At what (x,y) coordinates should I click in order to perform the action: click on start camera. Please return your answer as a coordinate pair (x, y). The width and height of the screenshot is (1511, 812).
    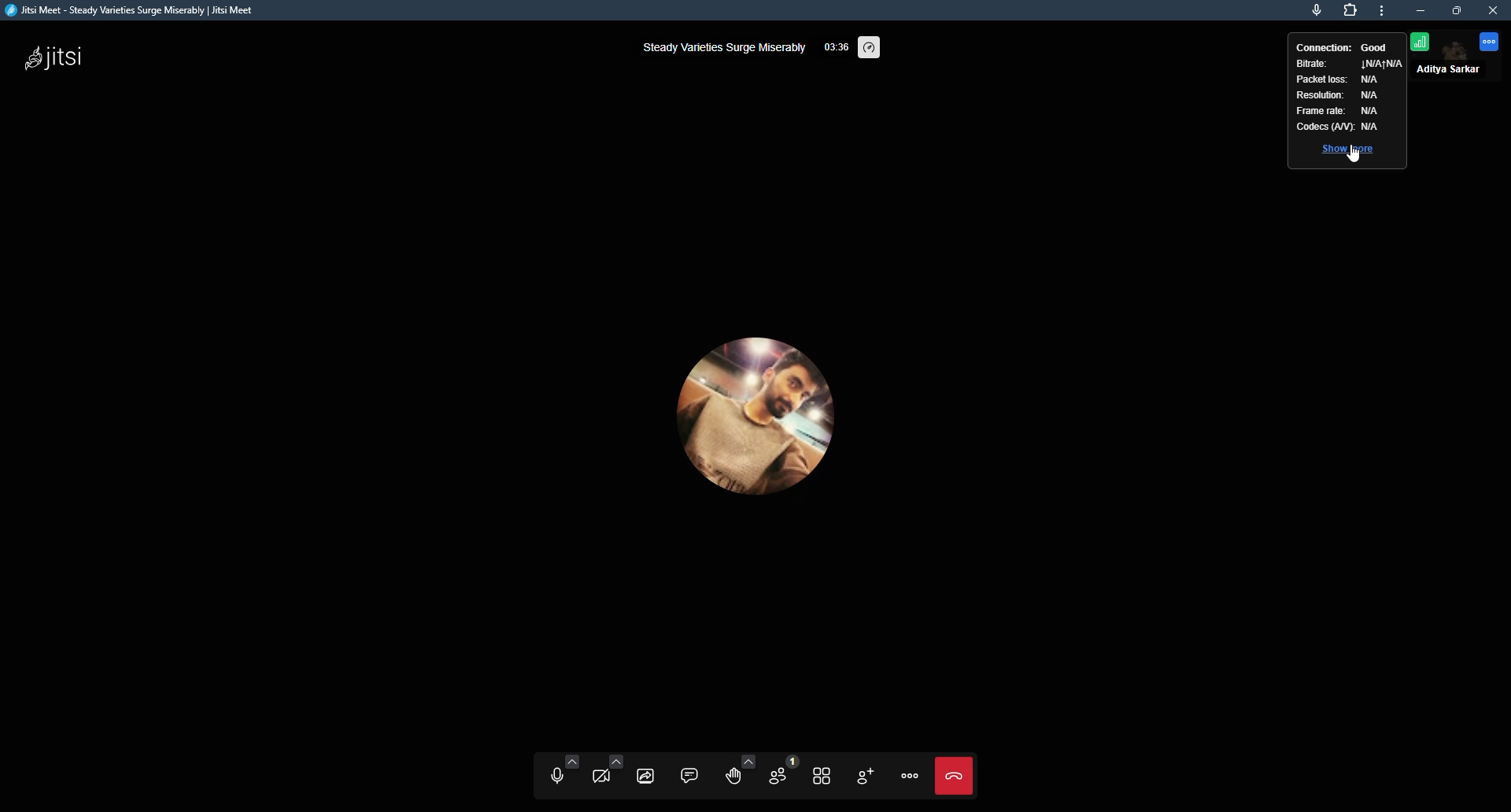
    Looking at the image, I should click on (603, 773).